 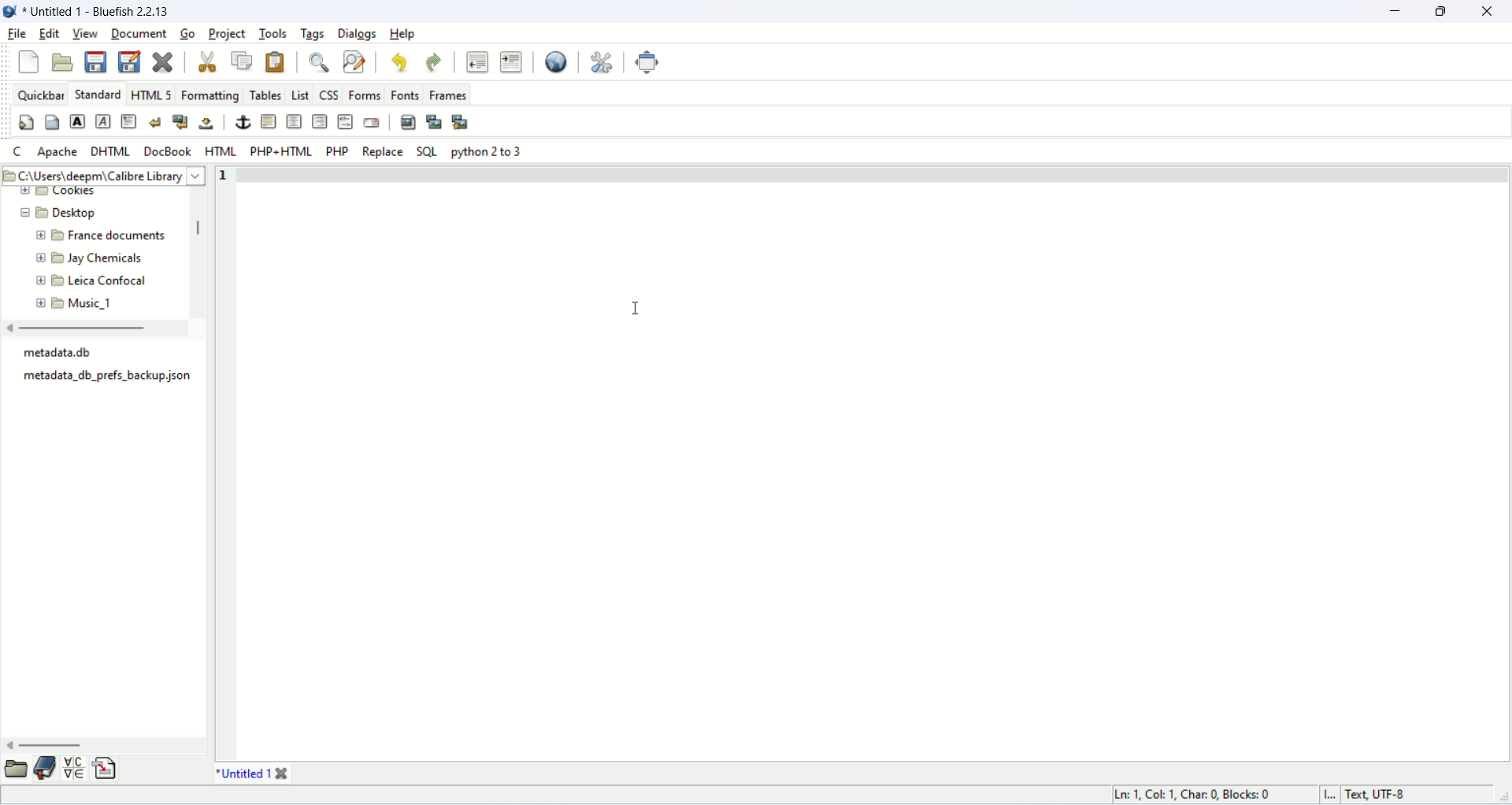 What do you see at coordinates (109, 150) in the screenshot?
I see `DHTML` at bounding box center [109, 150].